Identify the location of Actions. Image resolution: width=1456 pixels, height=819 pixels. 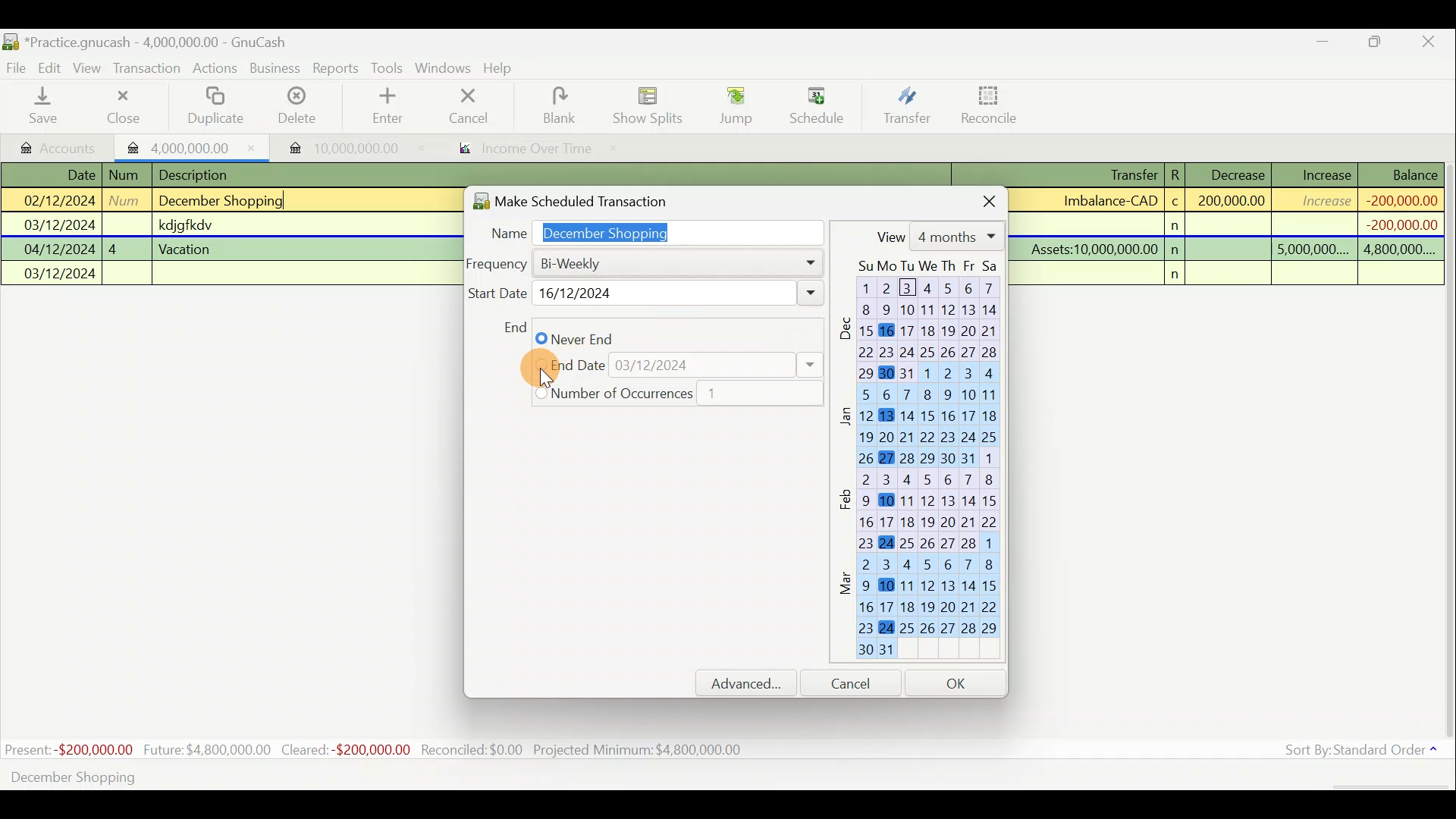
(215, 71).